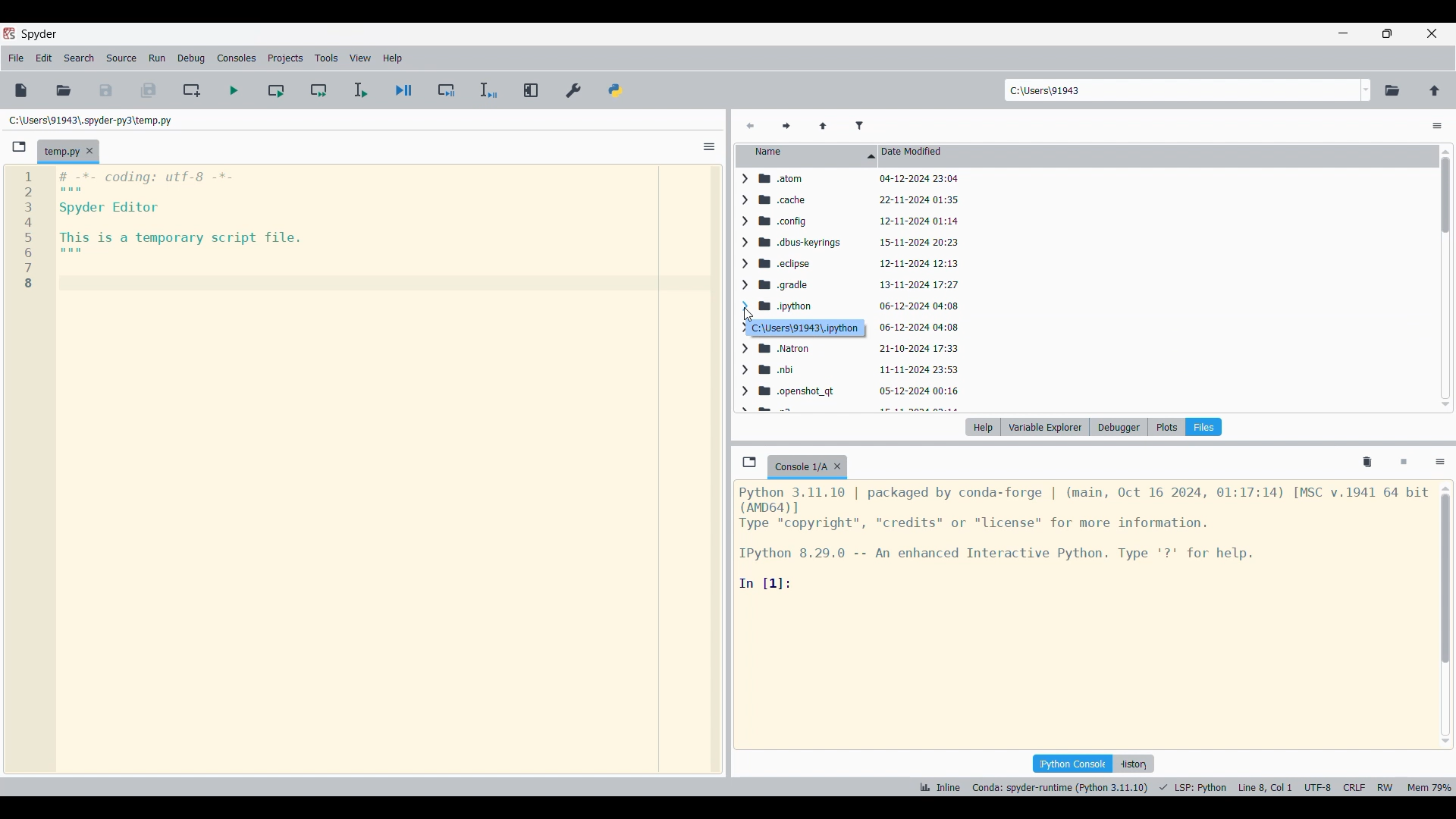  I want to click on Browse tab, so click(19, 147).